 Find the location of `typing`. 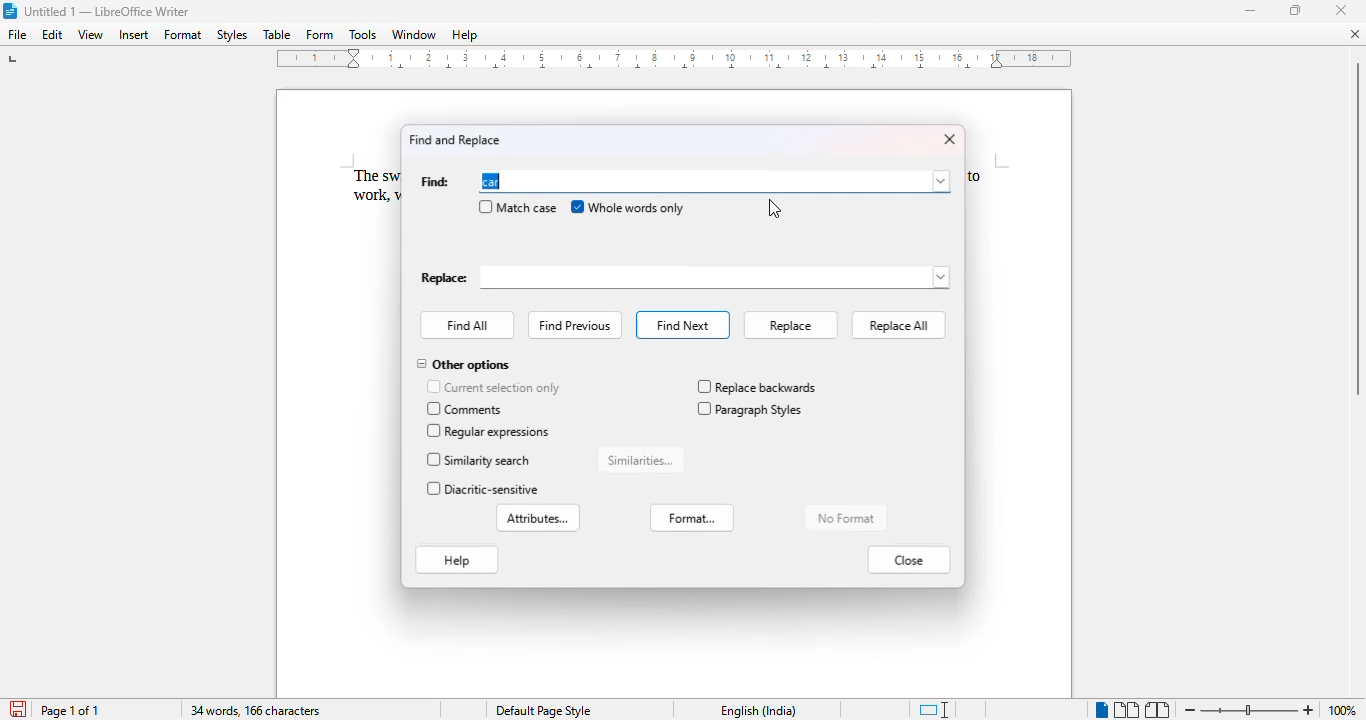

typing is located at coordinates (493, 181).